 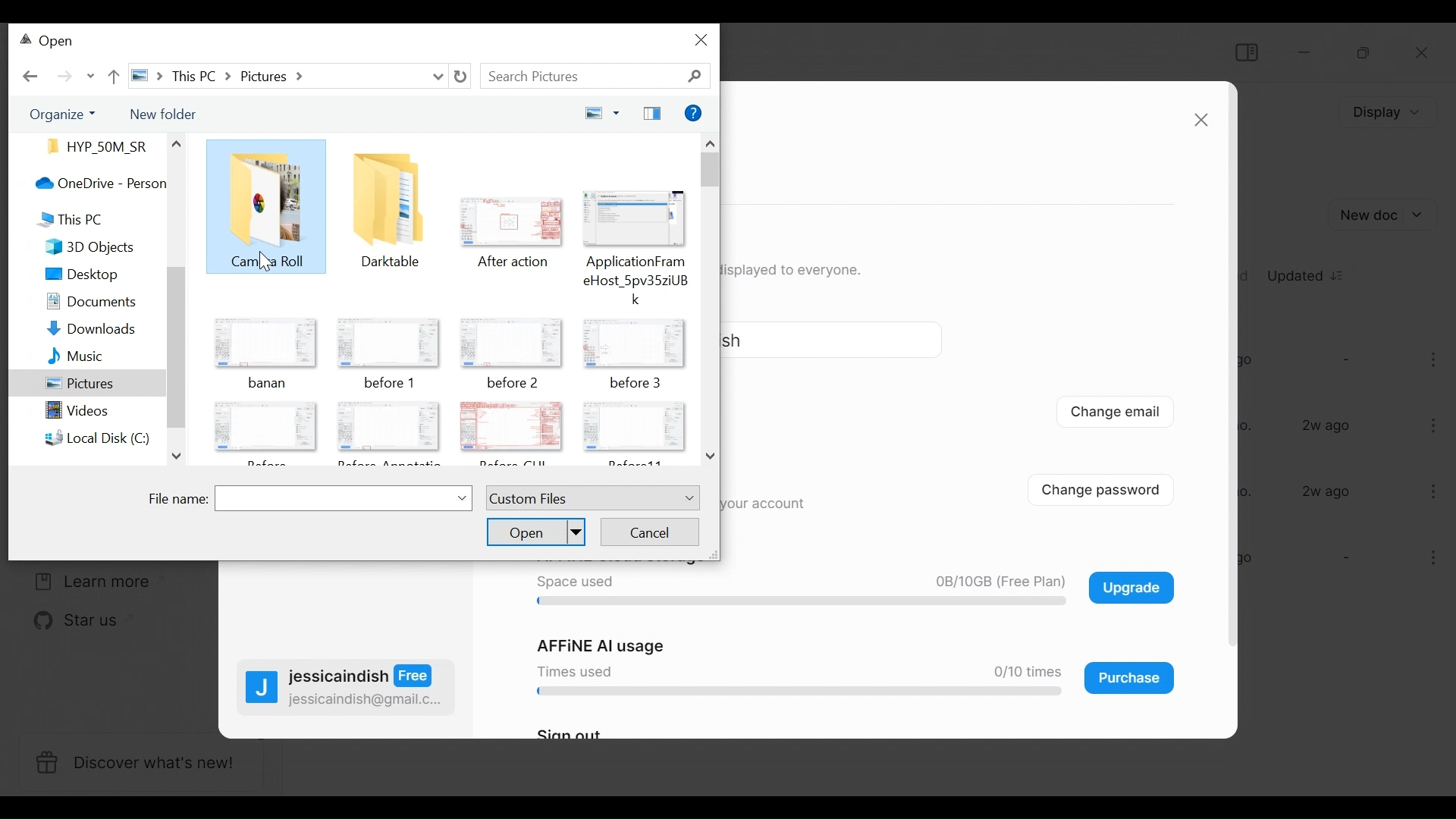 What do you see at coordinates (694, 115) in the screenshot?
I see `Get Help` at bounding box center [694, 115].